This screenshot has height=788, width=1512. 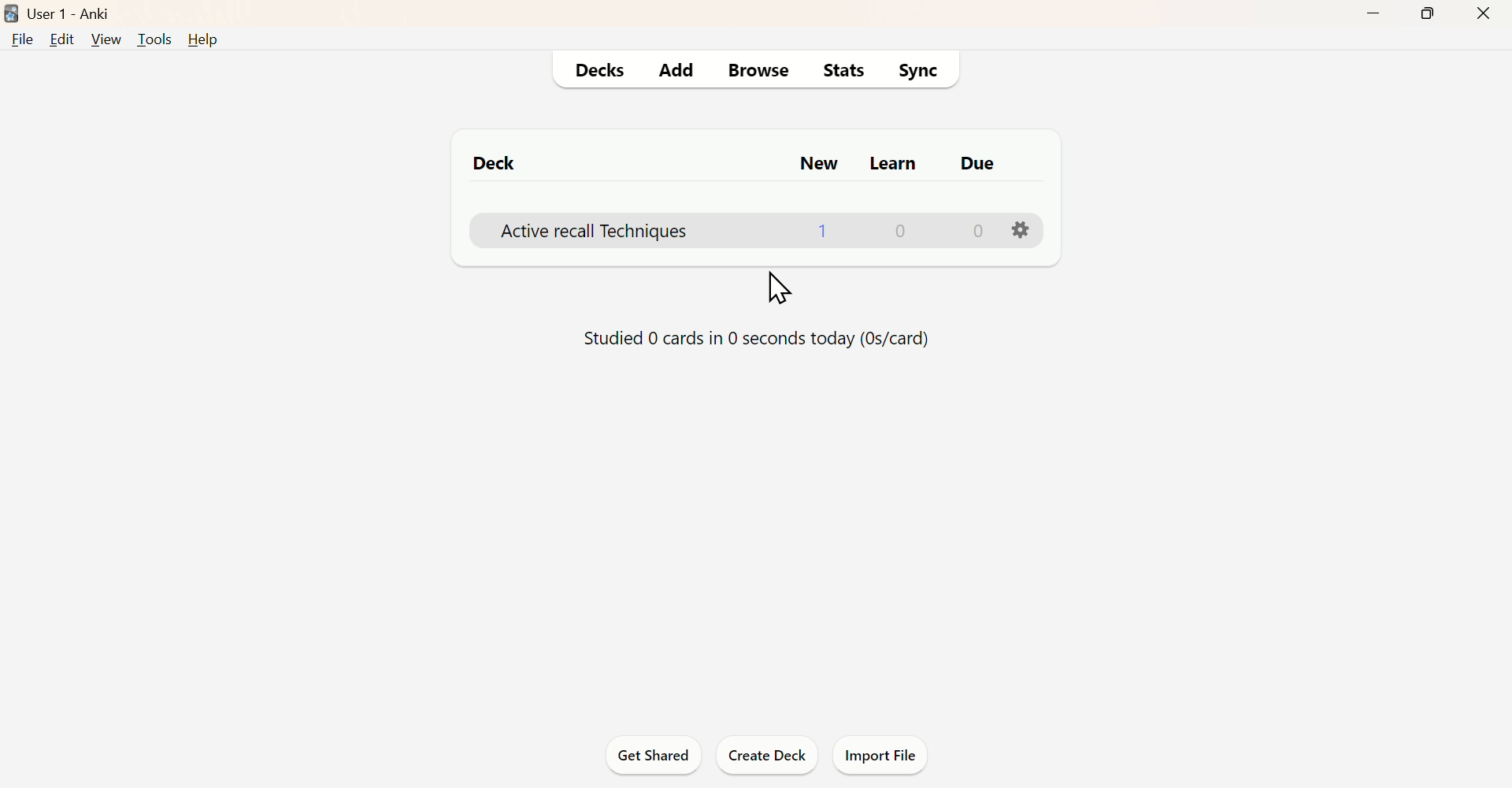 I want to click on Close, so click(x=1482, y=13).